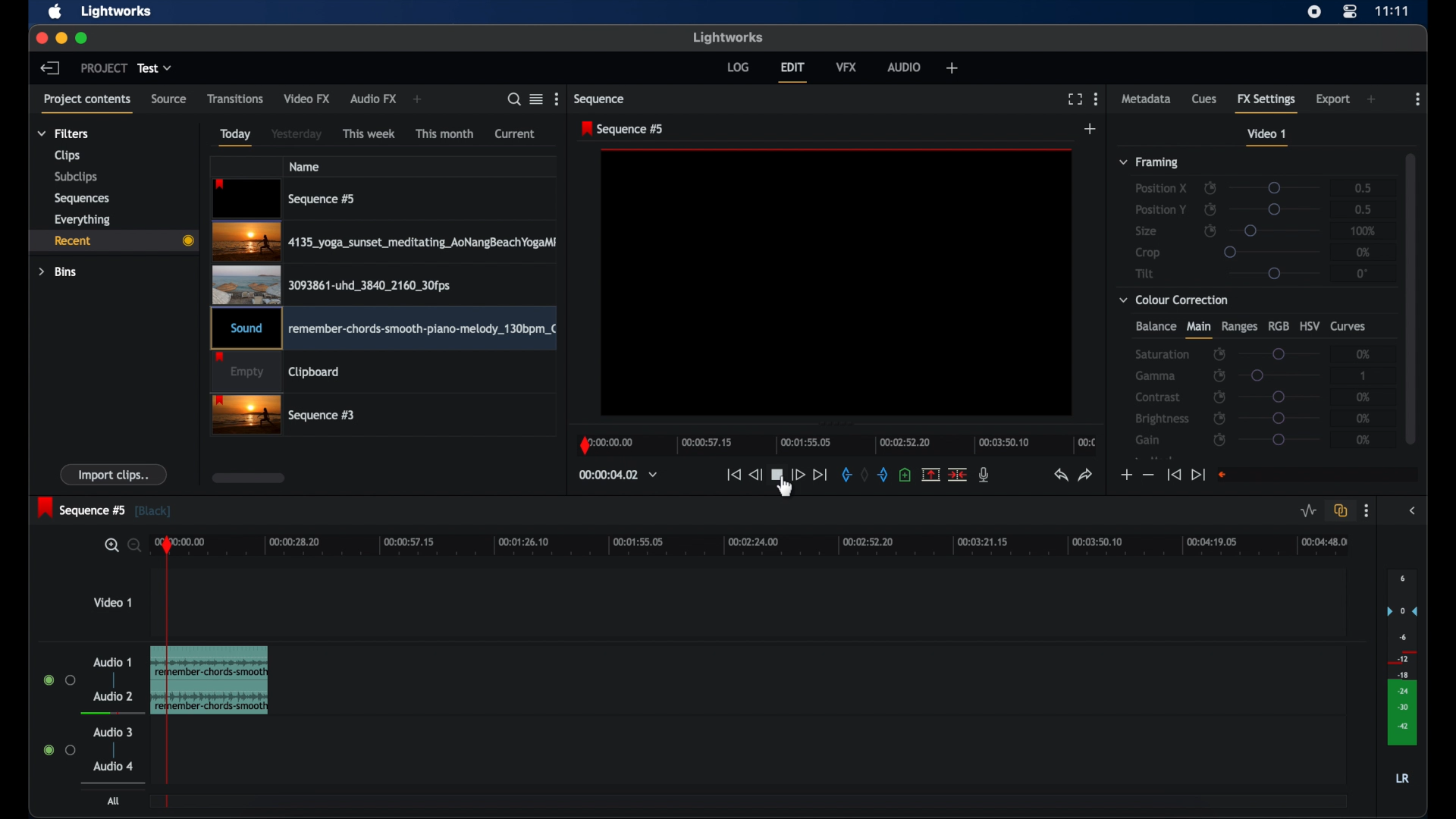 This screenshot has width=1456, height=819. Describe the element at coordinates (237, 137) in the screenshot. I see `today` at that location.